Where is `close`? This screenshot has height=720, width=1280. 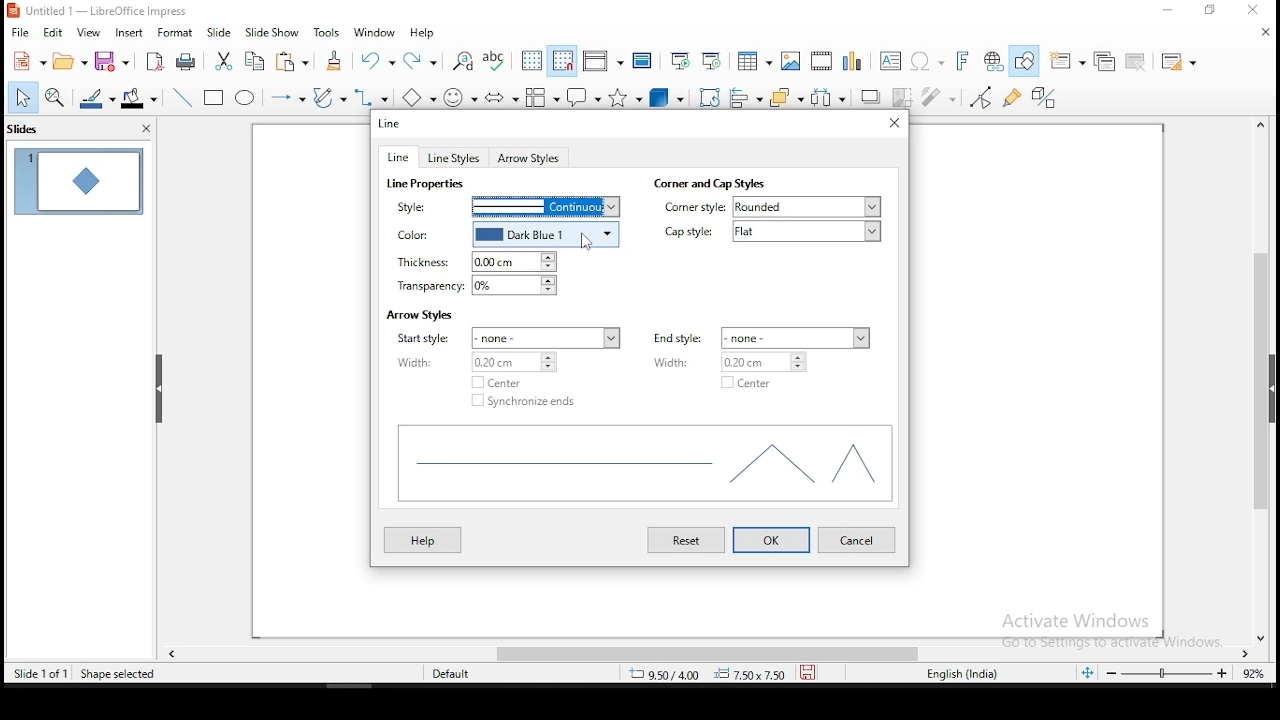 close is located at coordinates (1262, 32).